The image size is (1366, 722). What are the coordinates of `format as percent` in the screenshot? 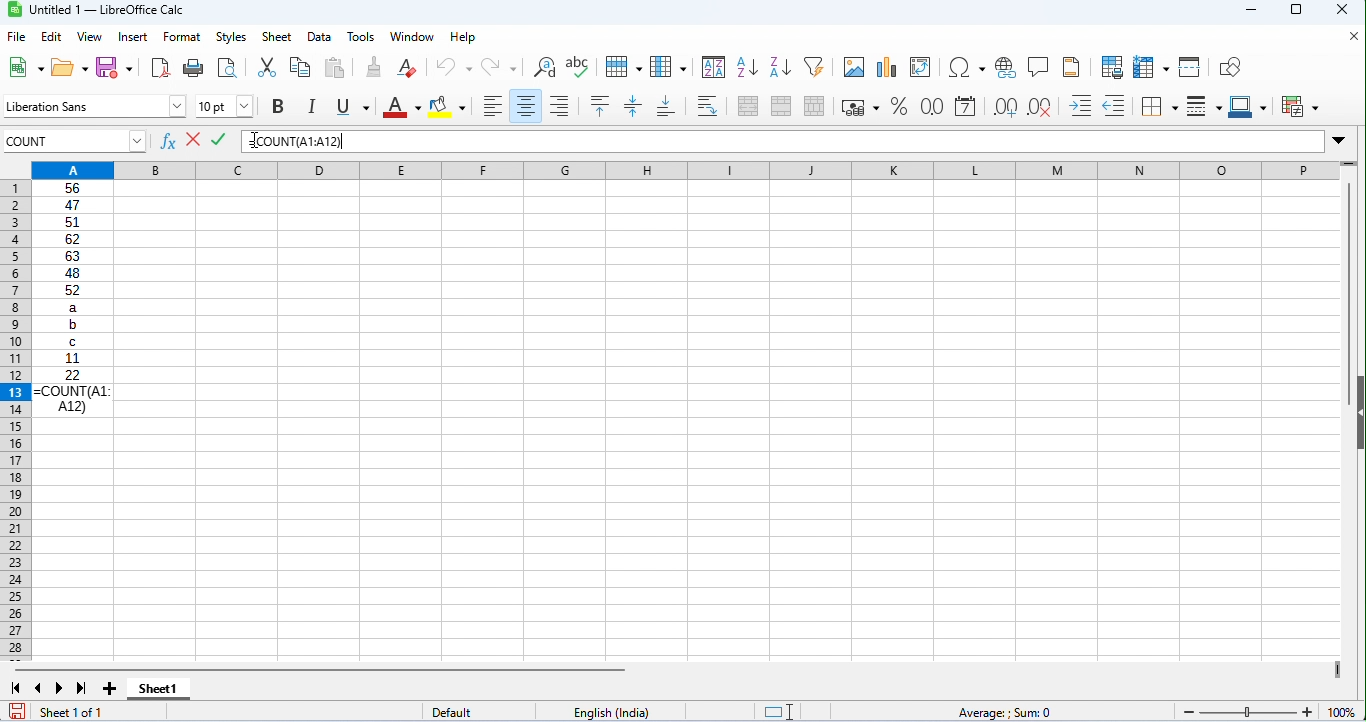 It's located at (899, 106).